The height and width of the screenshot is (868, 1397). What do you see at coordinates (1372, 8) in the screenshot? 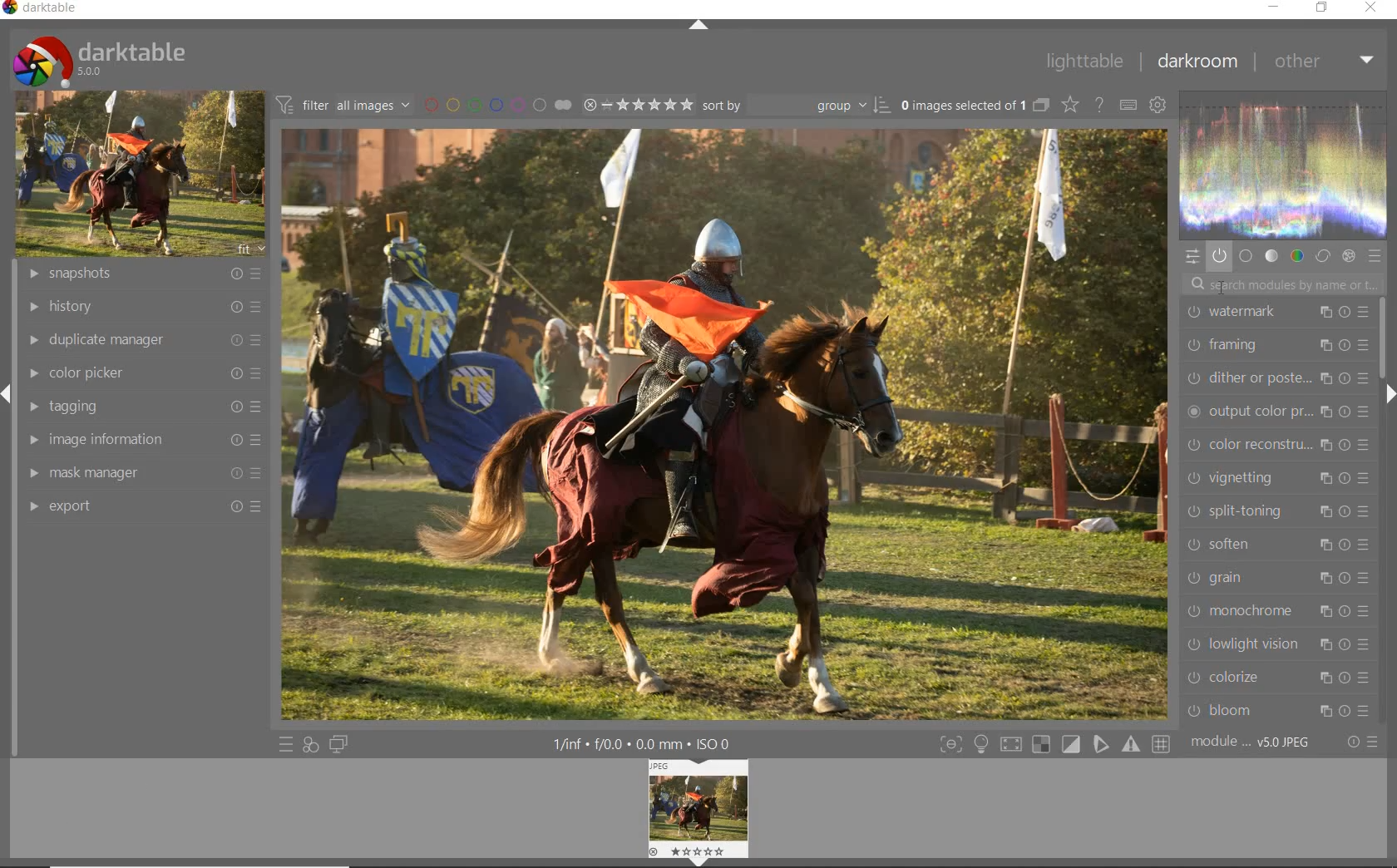
I see `close` at bounding box center [1372, 8].